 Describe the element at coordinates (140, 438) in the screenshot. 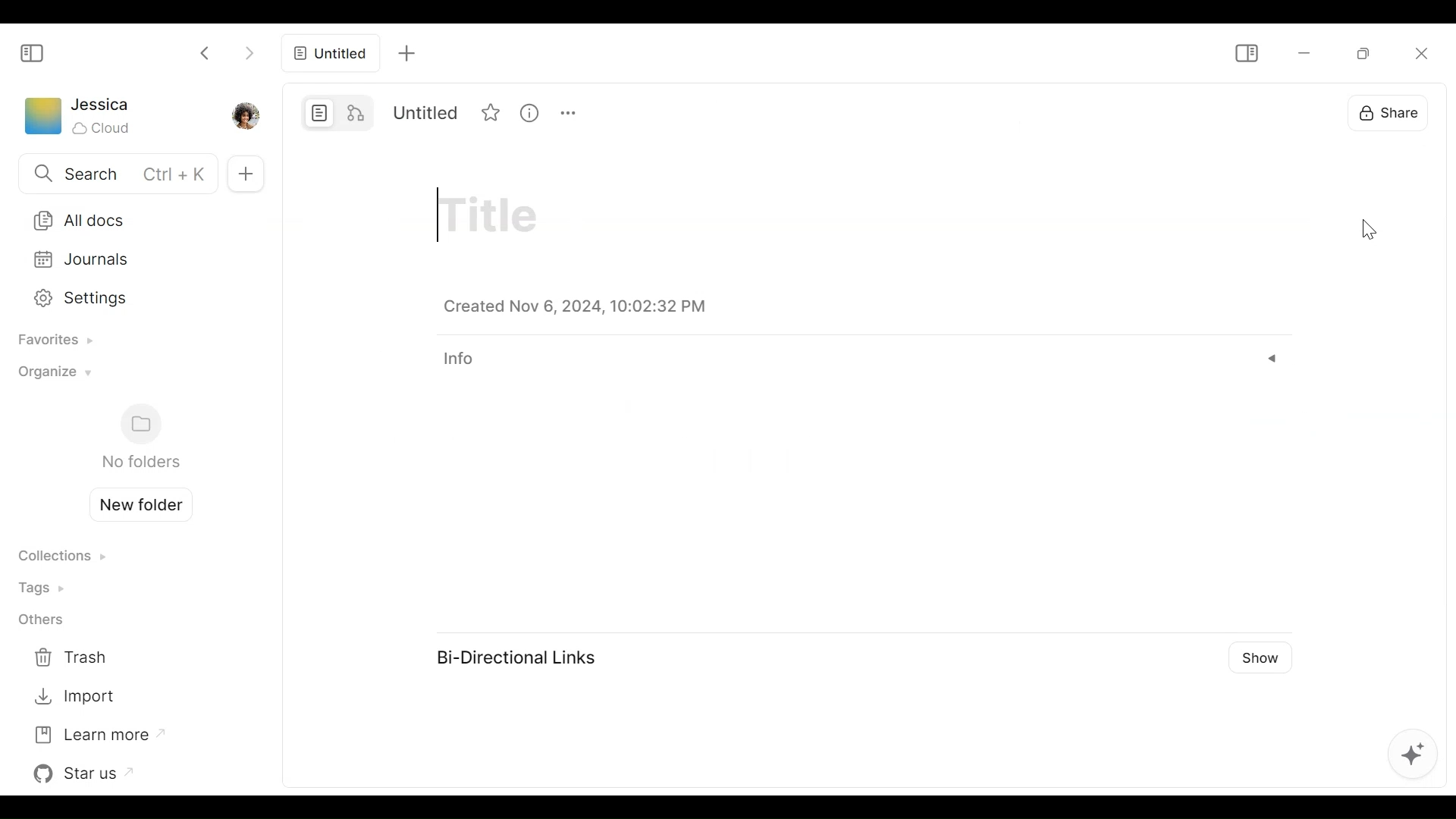

I see `Folders` at that location.